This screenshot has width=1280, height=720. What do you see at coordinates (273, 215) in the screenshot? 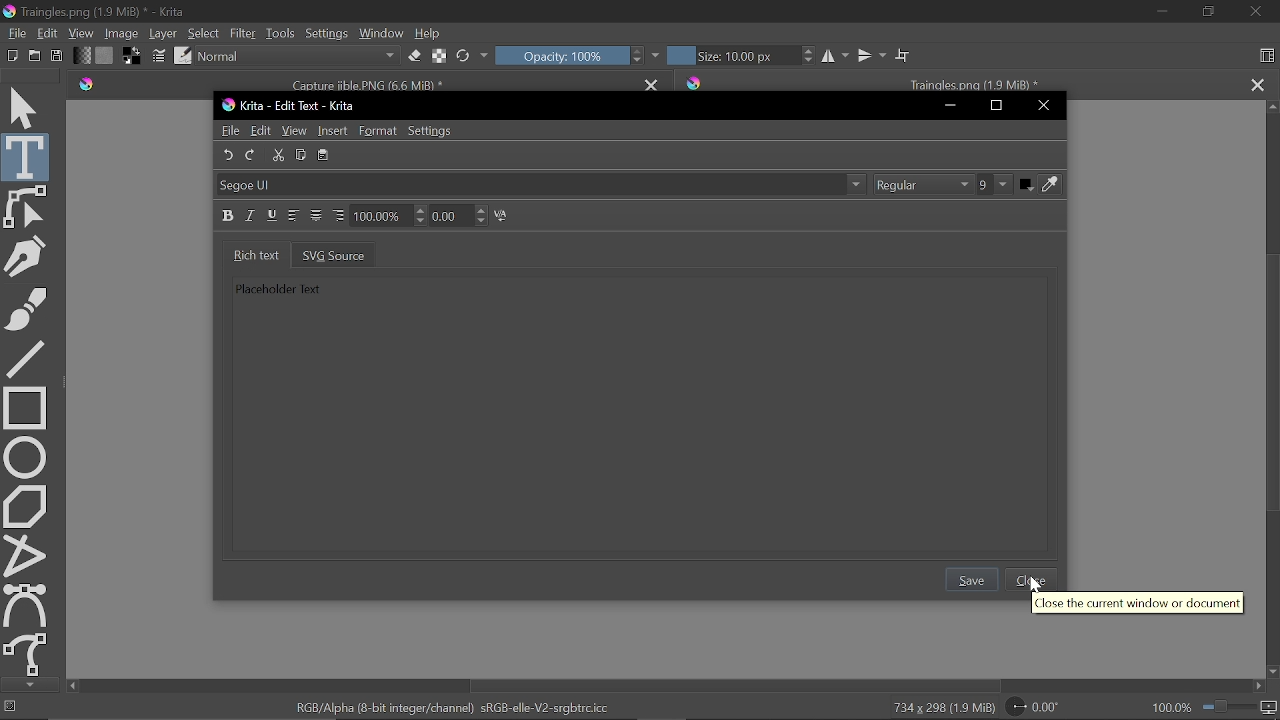
I see `Underline` at bounding box center [273, 215].